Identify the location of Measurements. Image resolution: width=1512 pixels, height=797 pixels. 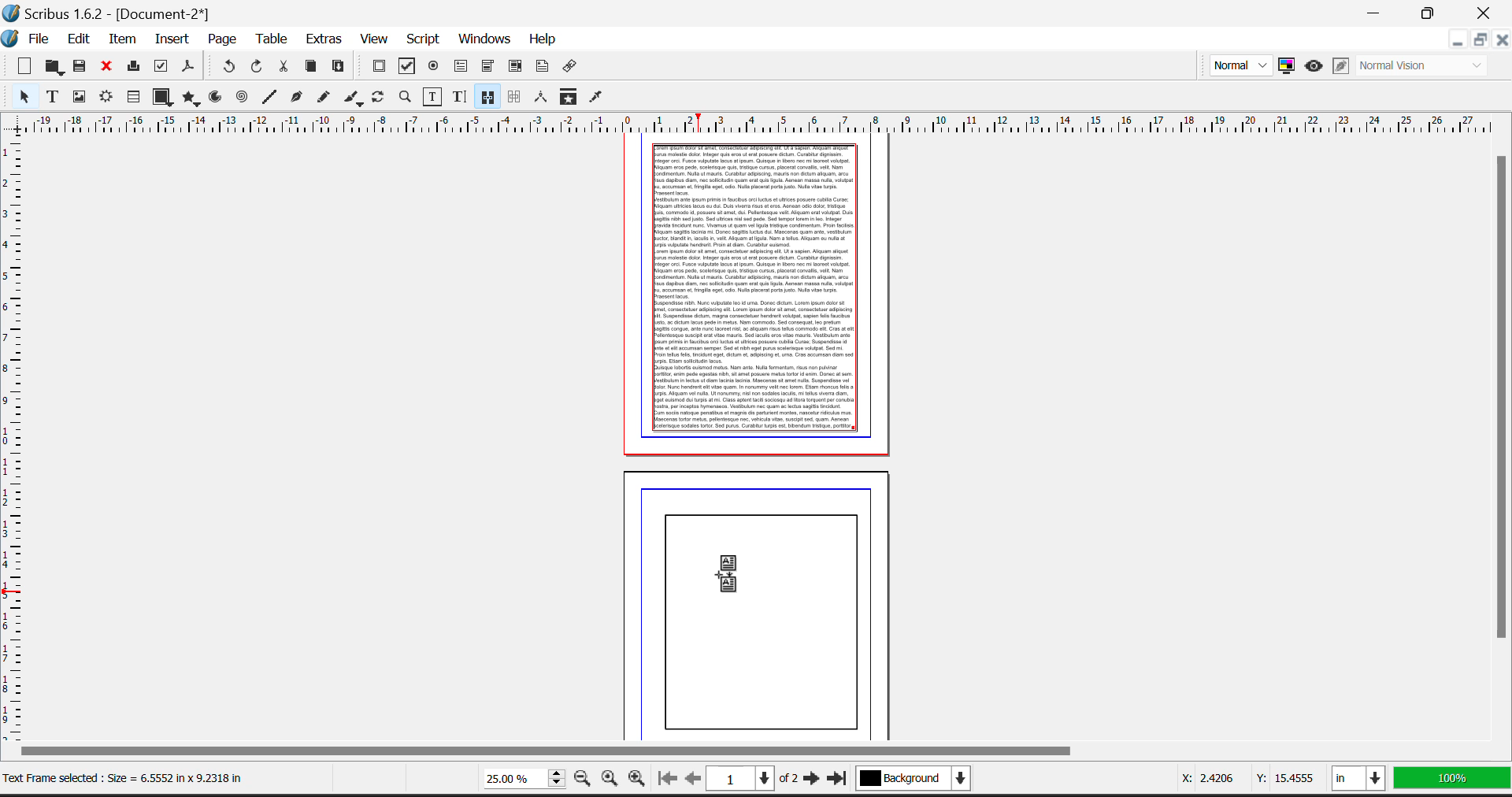
(542, 98).